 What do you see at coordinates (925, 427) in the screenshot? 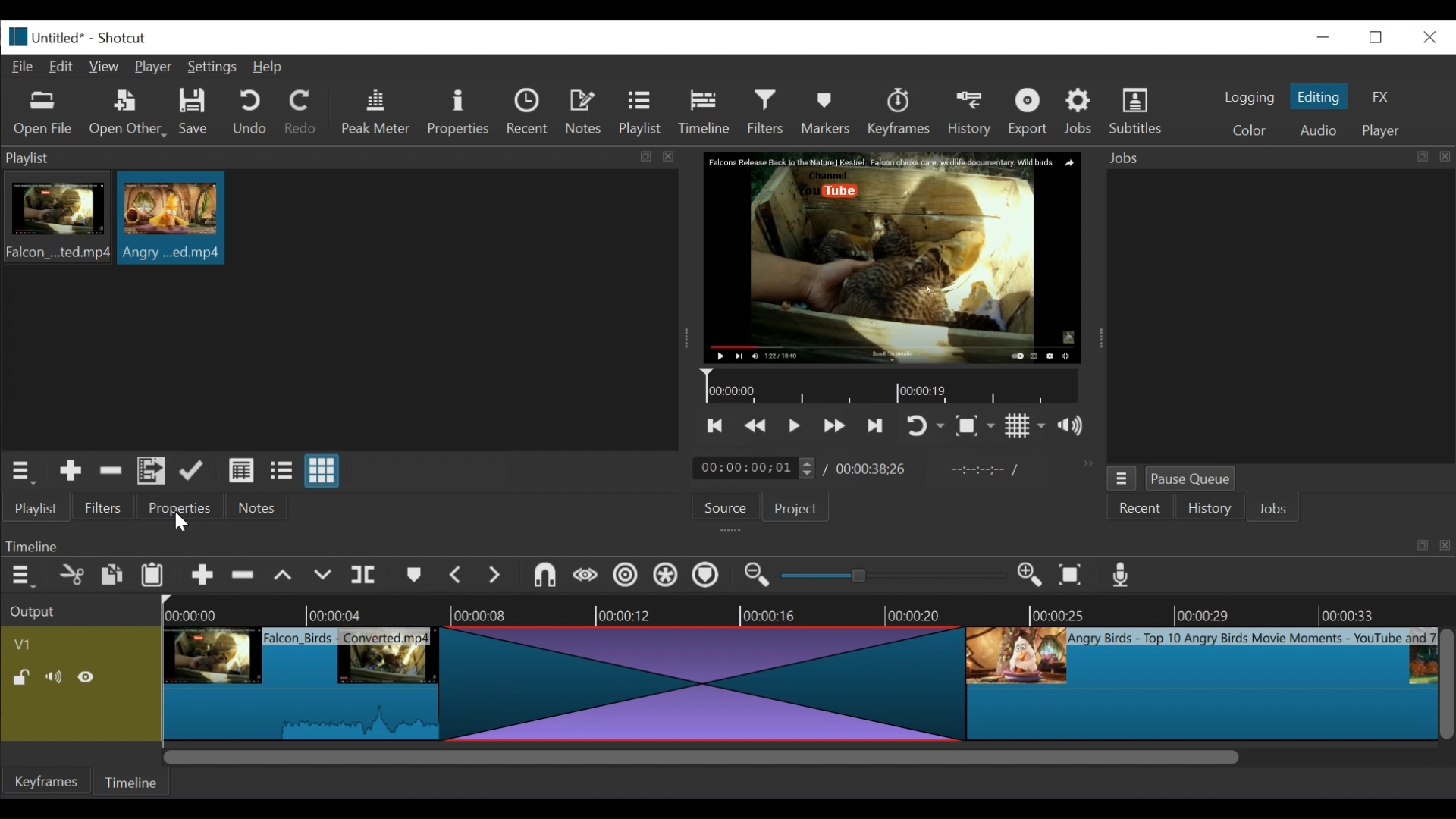
I see `toggle player looping` at bounding box center [925, 427].